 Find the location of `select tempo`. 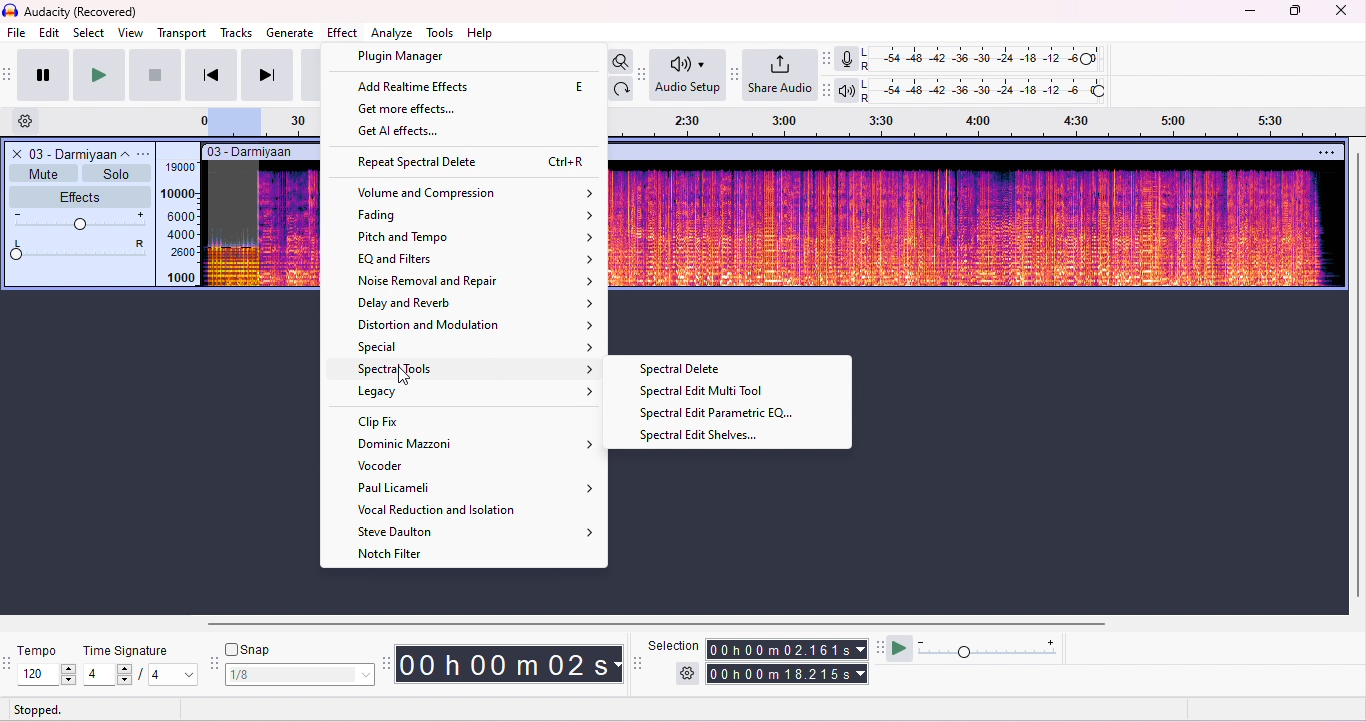

select tempo is located at coordinates (47, 674).